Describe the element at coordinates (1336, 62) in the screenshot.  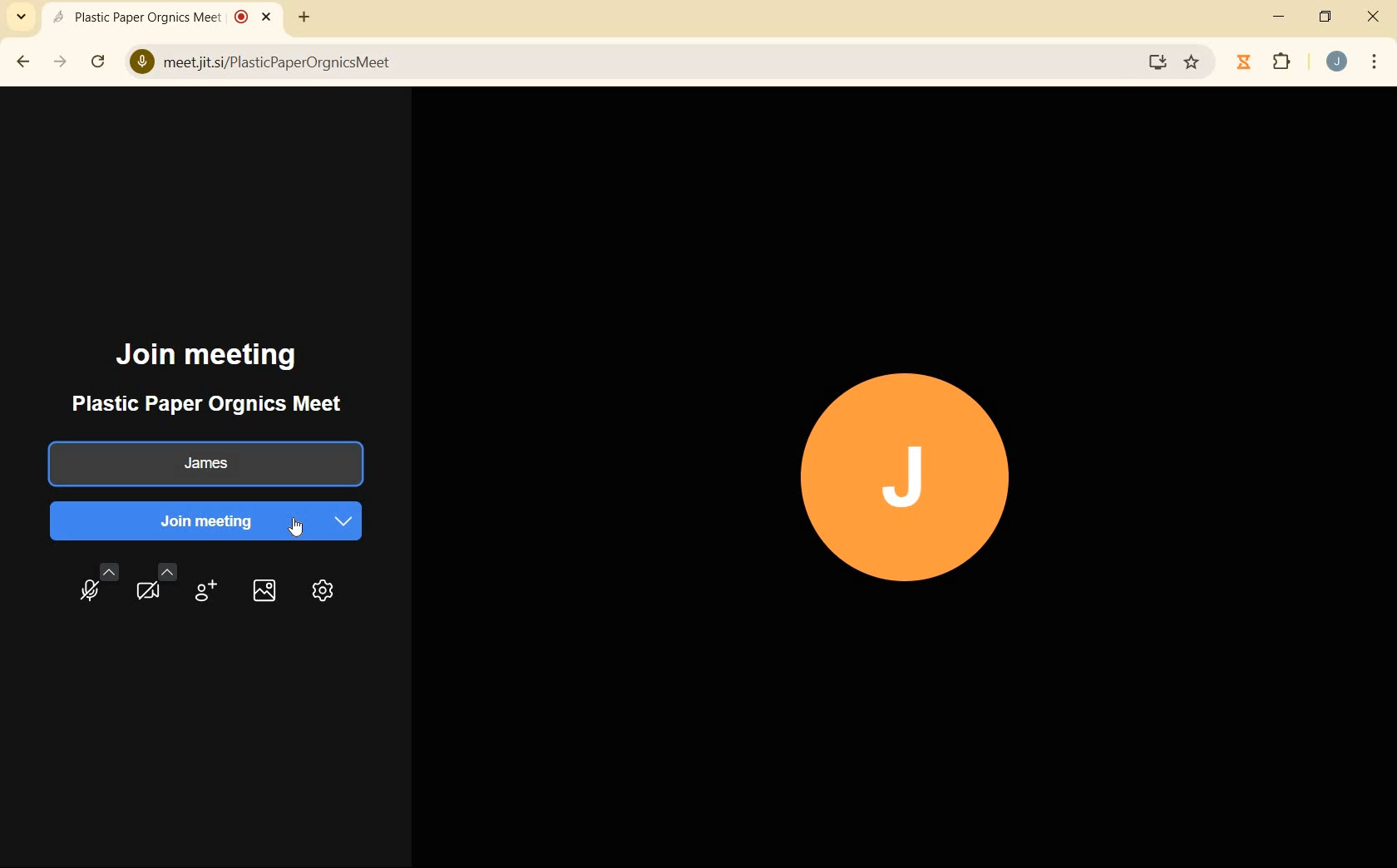
I see `account` at that location.